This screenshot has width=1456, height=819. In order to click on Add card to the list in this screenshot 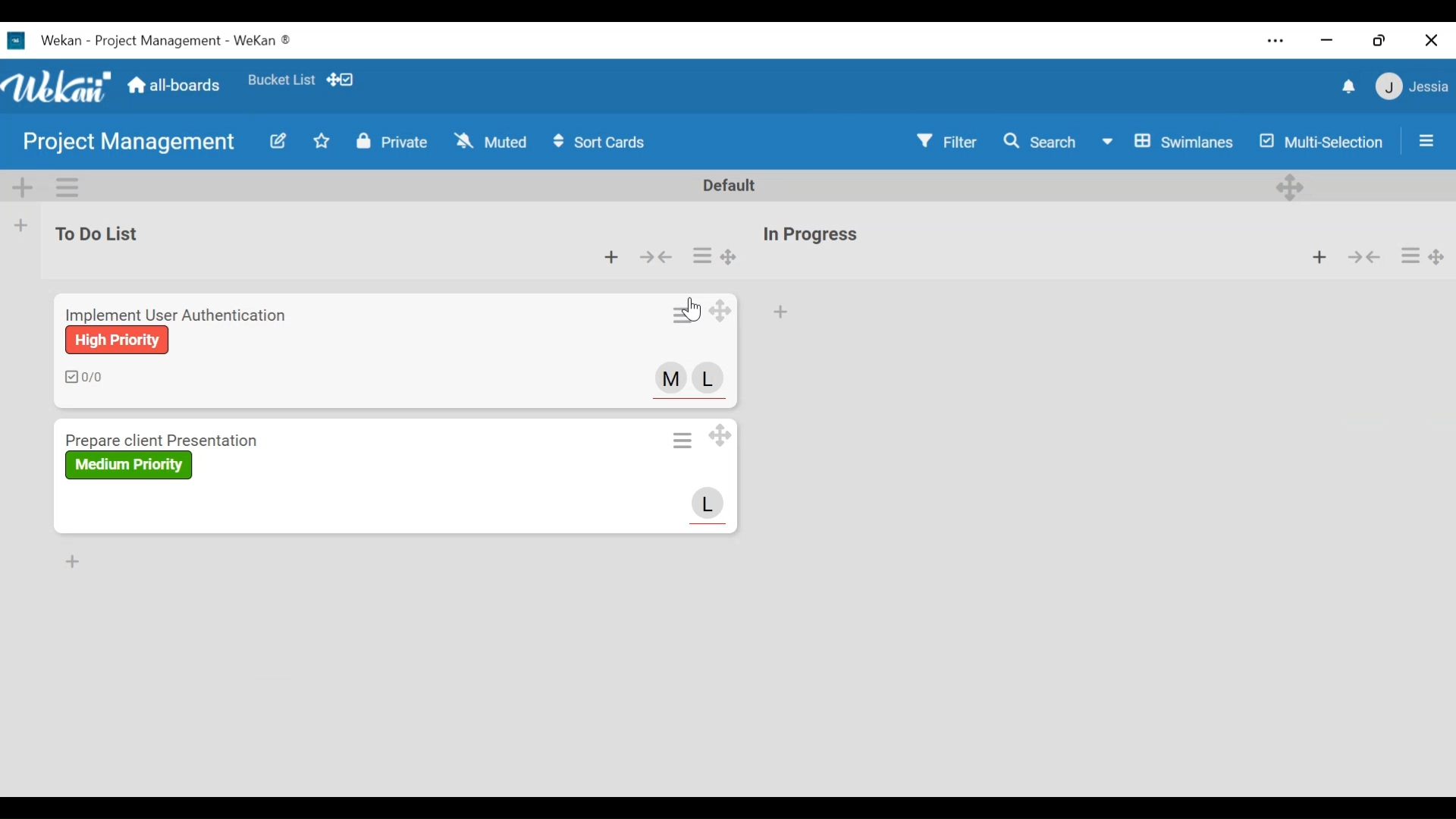, I will do `click(24, 224)`.